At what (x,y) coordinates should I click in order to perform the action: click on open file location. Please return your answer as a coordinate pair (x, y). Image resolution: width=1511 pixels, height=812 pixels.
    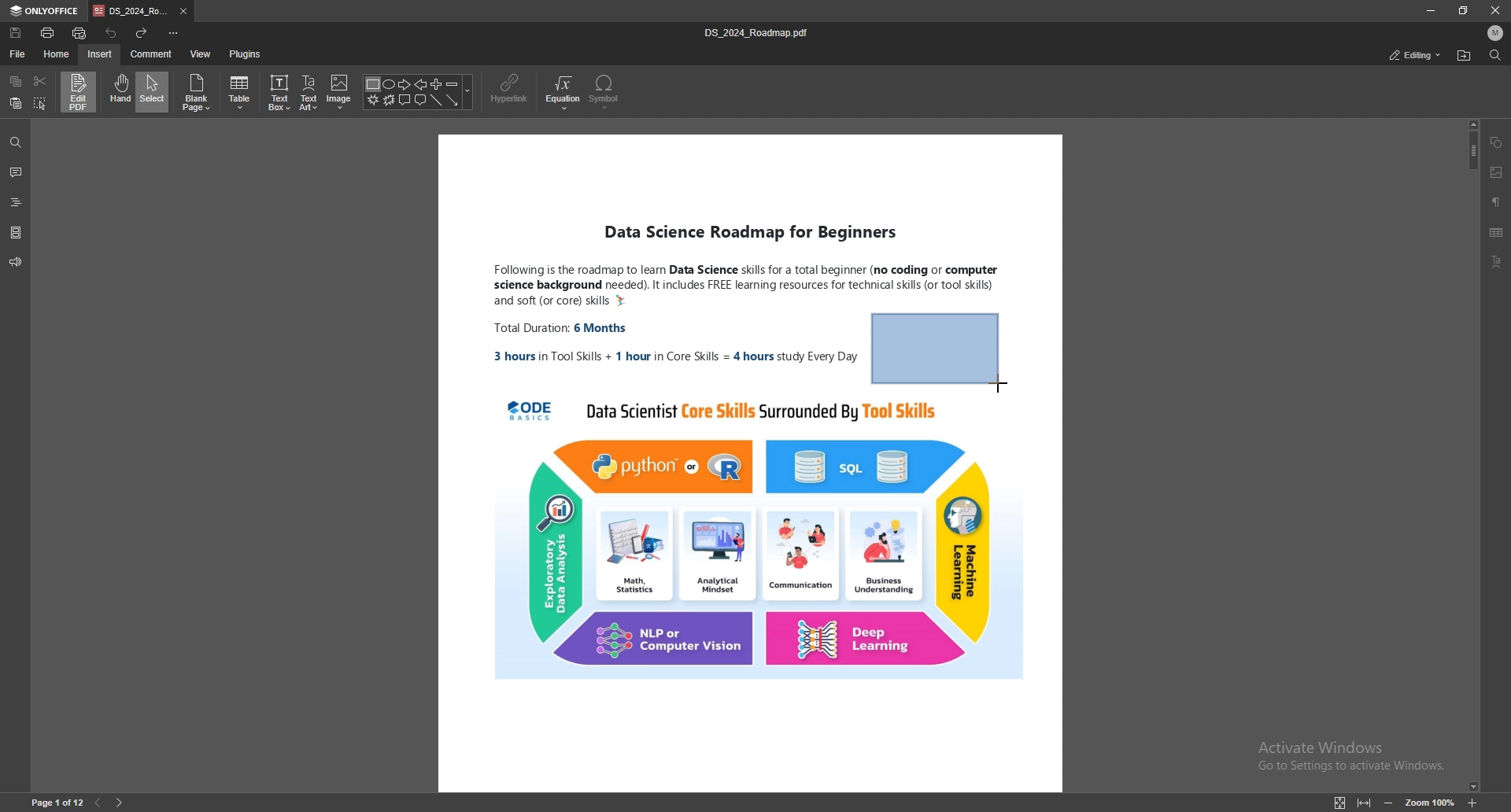
    Looking at the image, I should click on (1463, 56).